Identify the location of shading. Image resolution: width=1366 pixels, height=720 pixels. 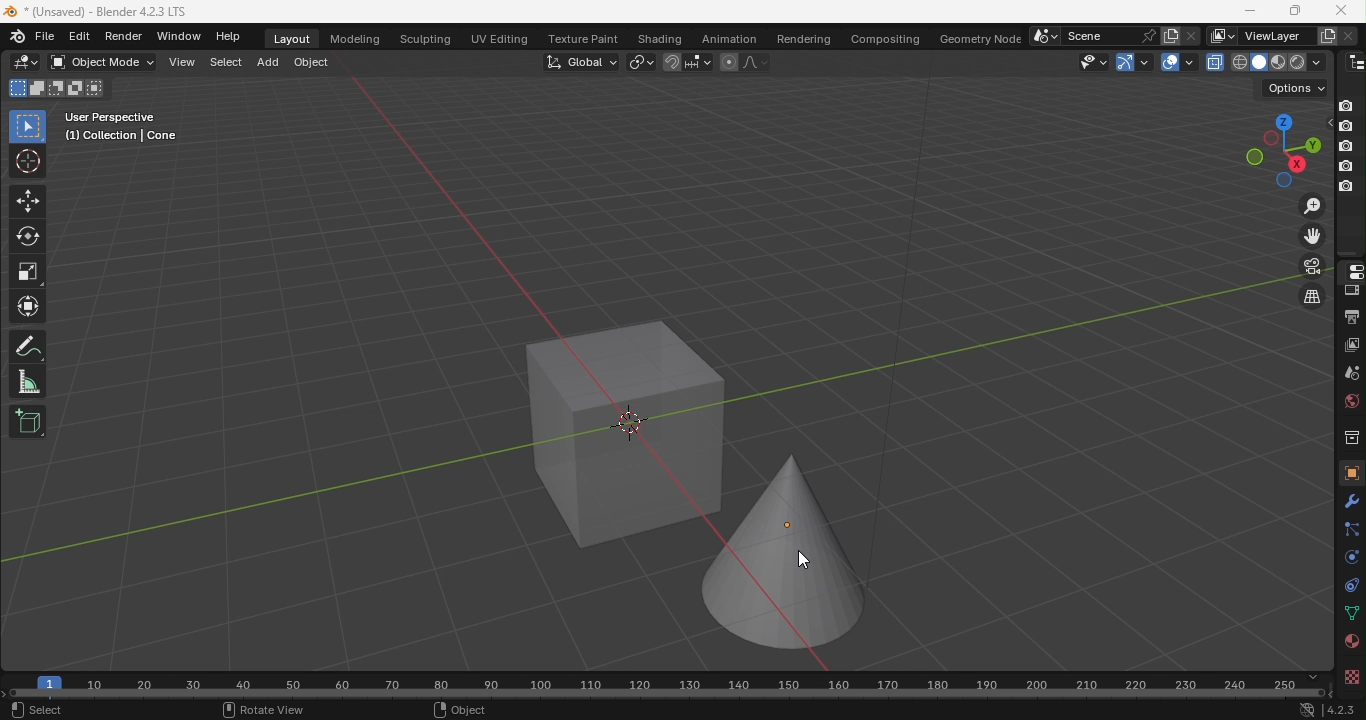
(1315, 61).